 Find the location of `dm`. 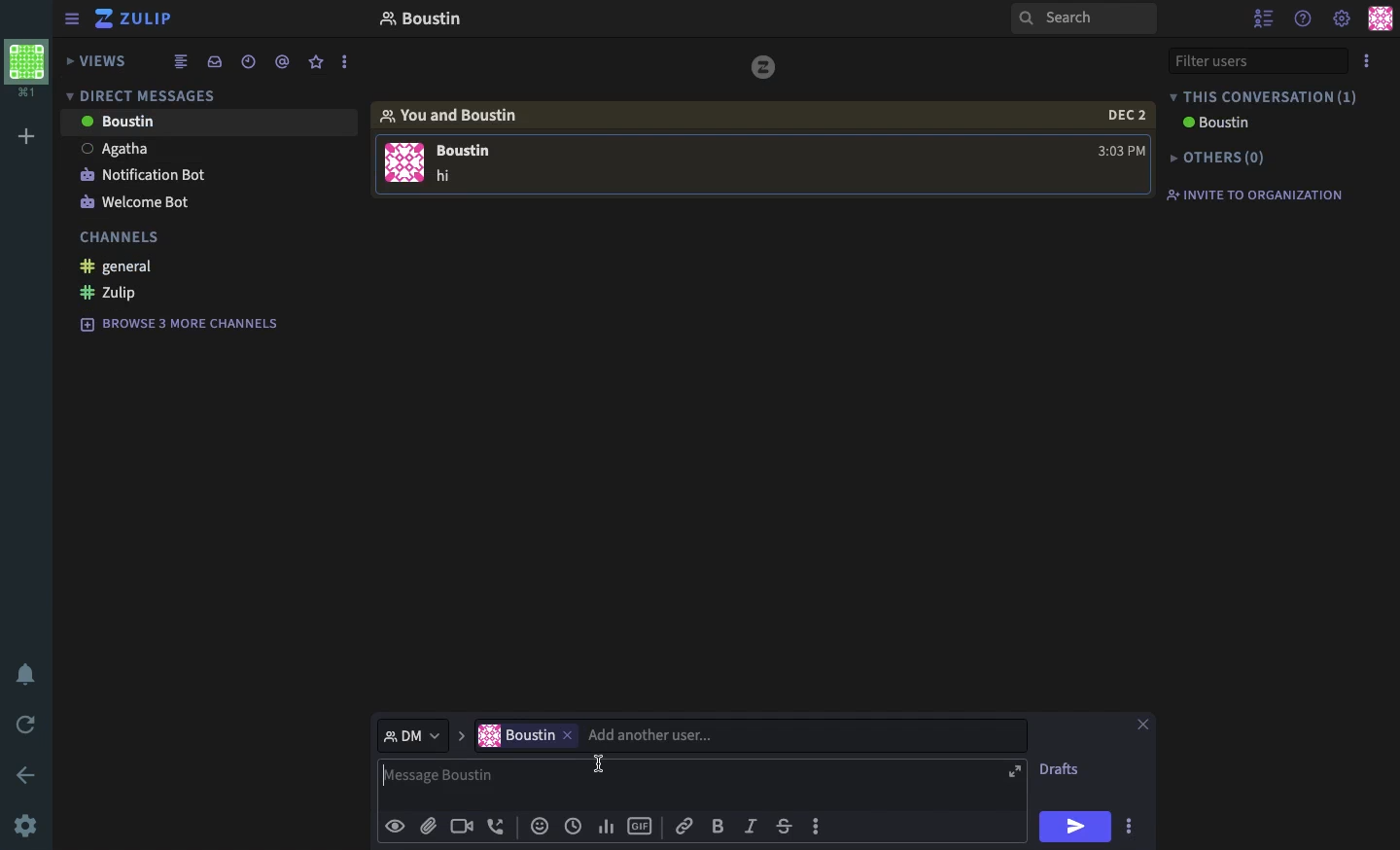

dm is located at coordinates (420, 735).